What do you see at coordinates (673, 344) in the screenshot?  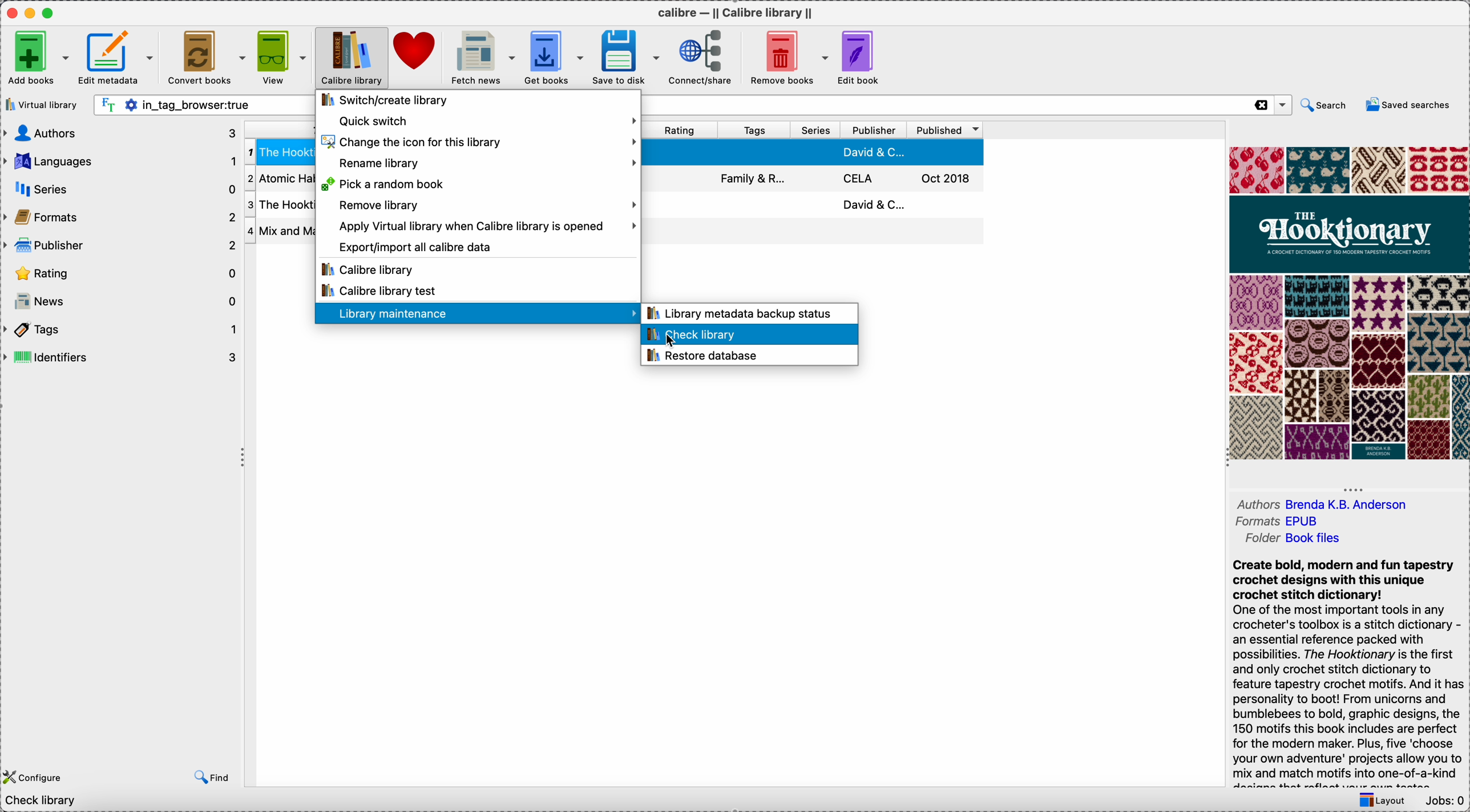 I see `cursor` at bounding box center [673, 344].